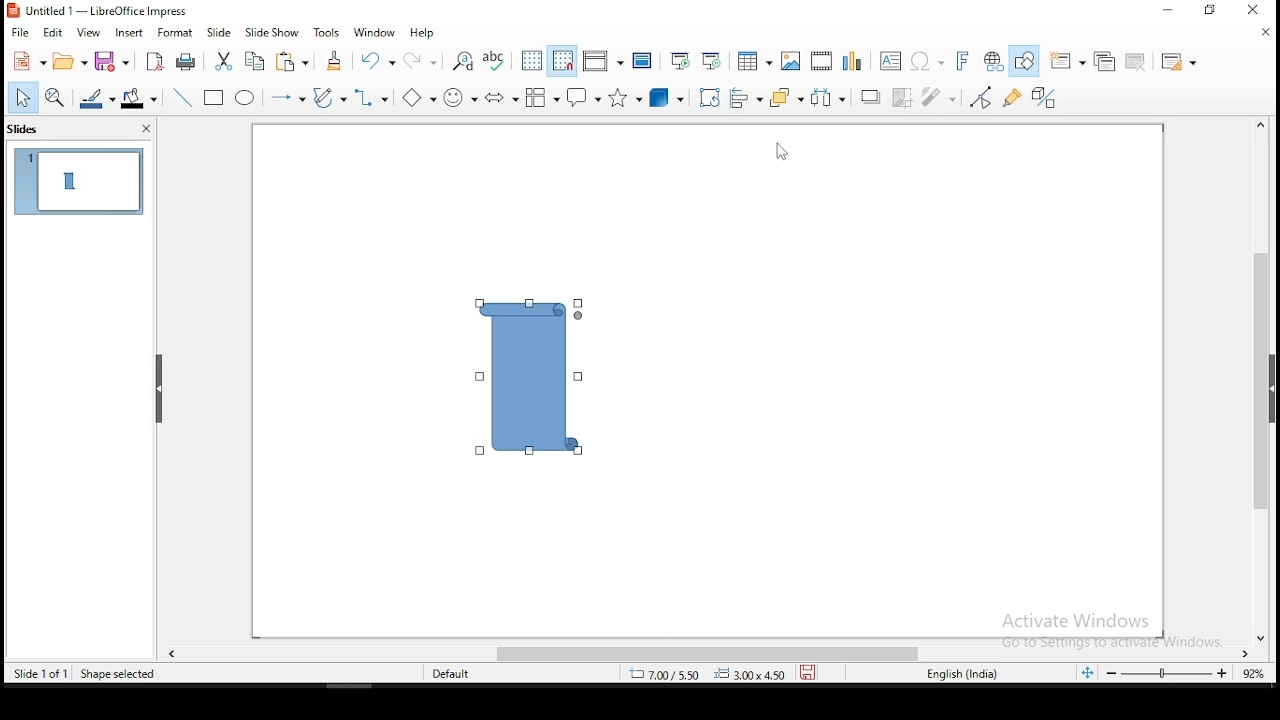 This screenshot has width=1280, height=720. I want to click on curves and polygons, so click(327, 96).